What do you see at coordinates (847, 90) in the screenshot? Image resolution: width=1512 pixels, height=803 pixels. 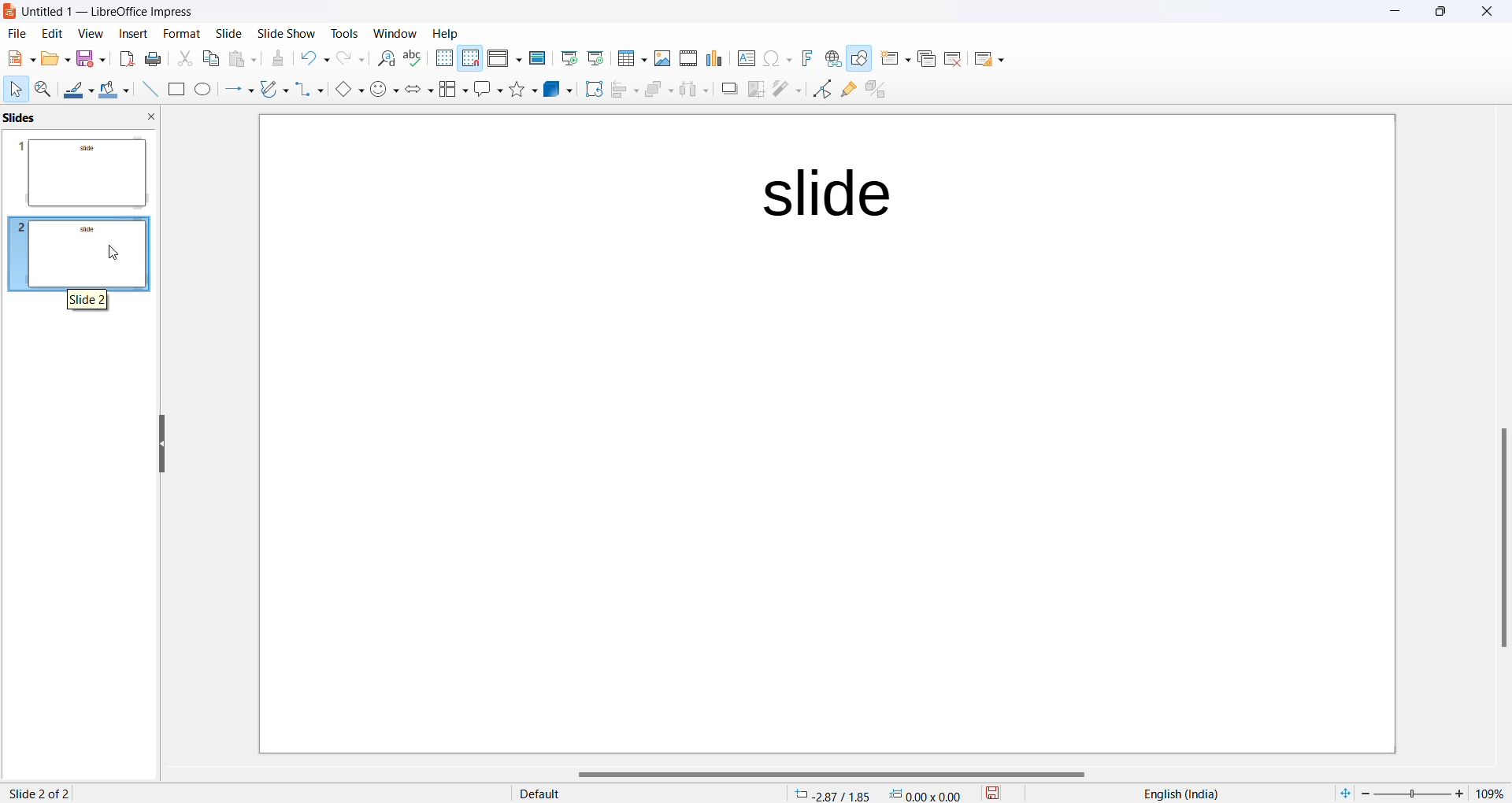 I see `Show glue point function` at bounding box center [847, 90].